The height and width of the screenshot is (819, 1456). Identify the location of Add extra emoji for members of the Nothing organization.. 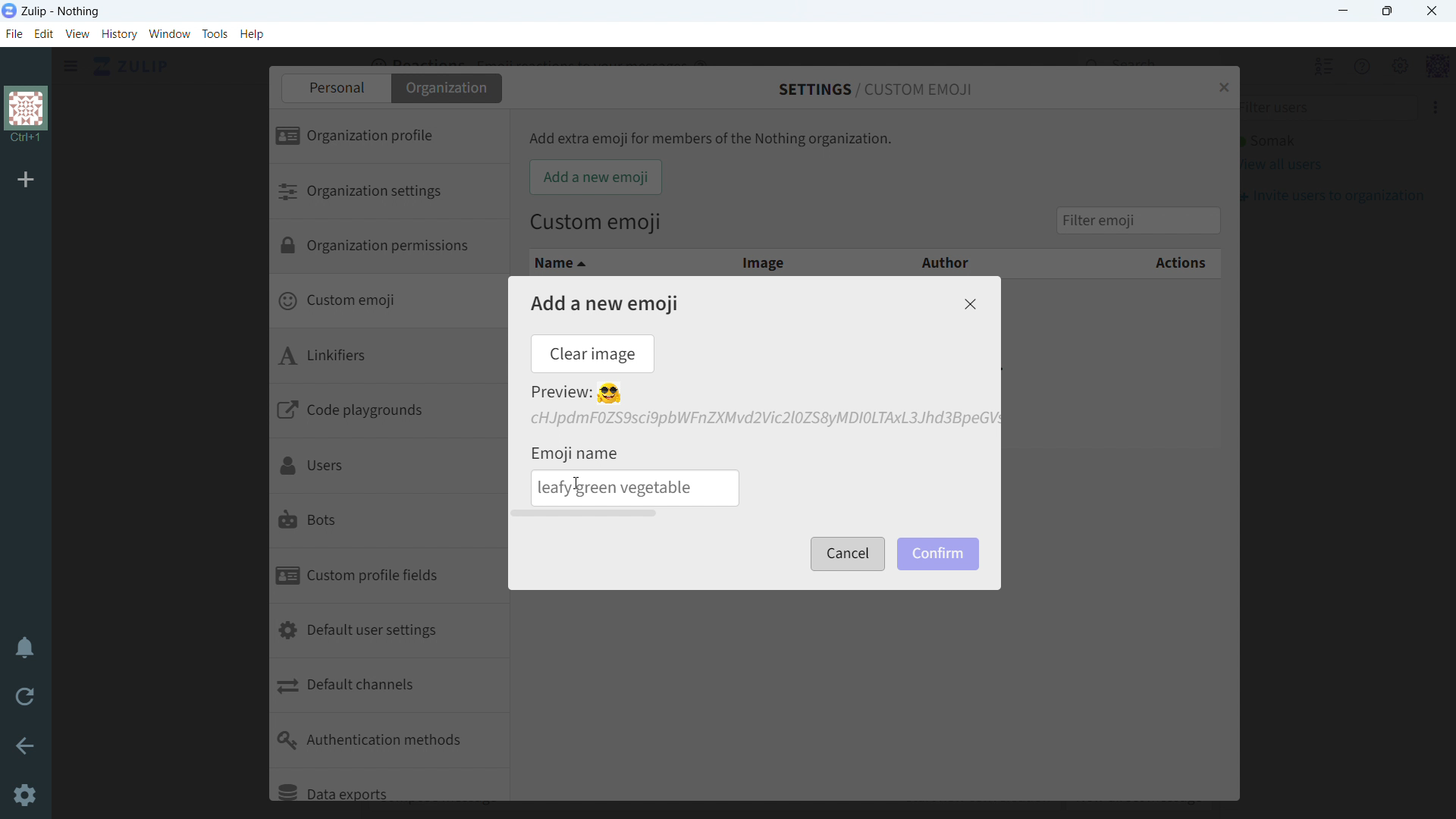
(711, 139).